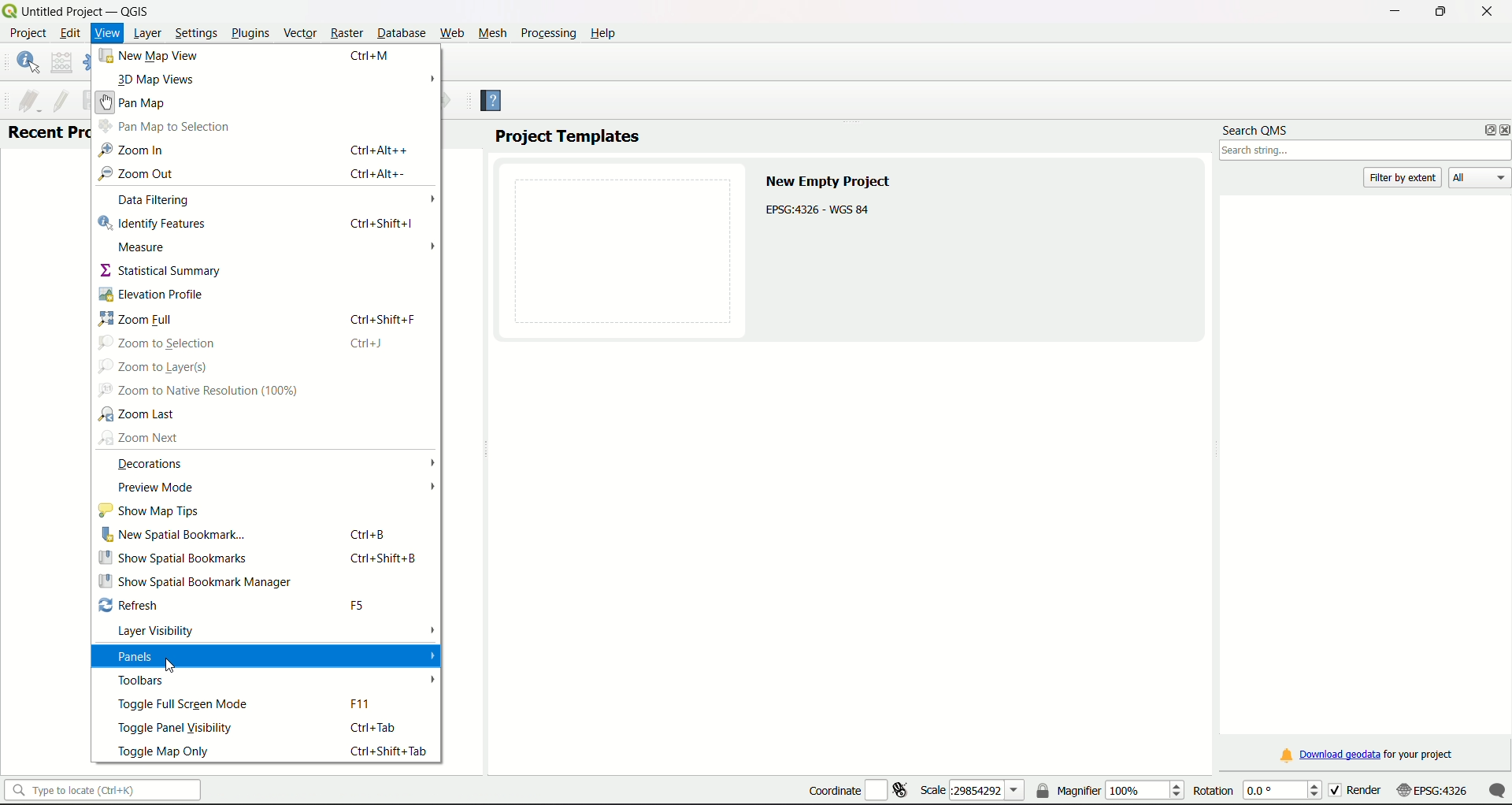  What do you see at coordinates (173, 559) in the screenshot?
I see `show spatial bookmarks` at bounding box center [173, 559].